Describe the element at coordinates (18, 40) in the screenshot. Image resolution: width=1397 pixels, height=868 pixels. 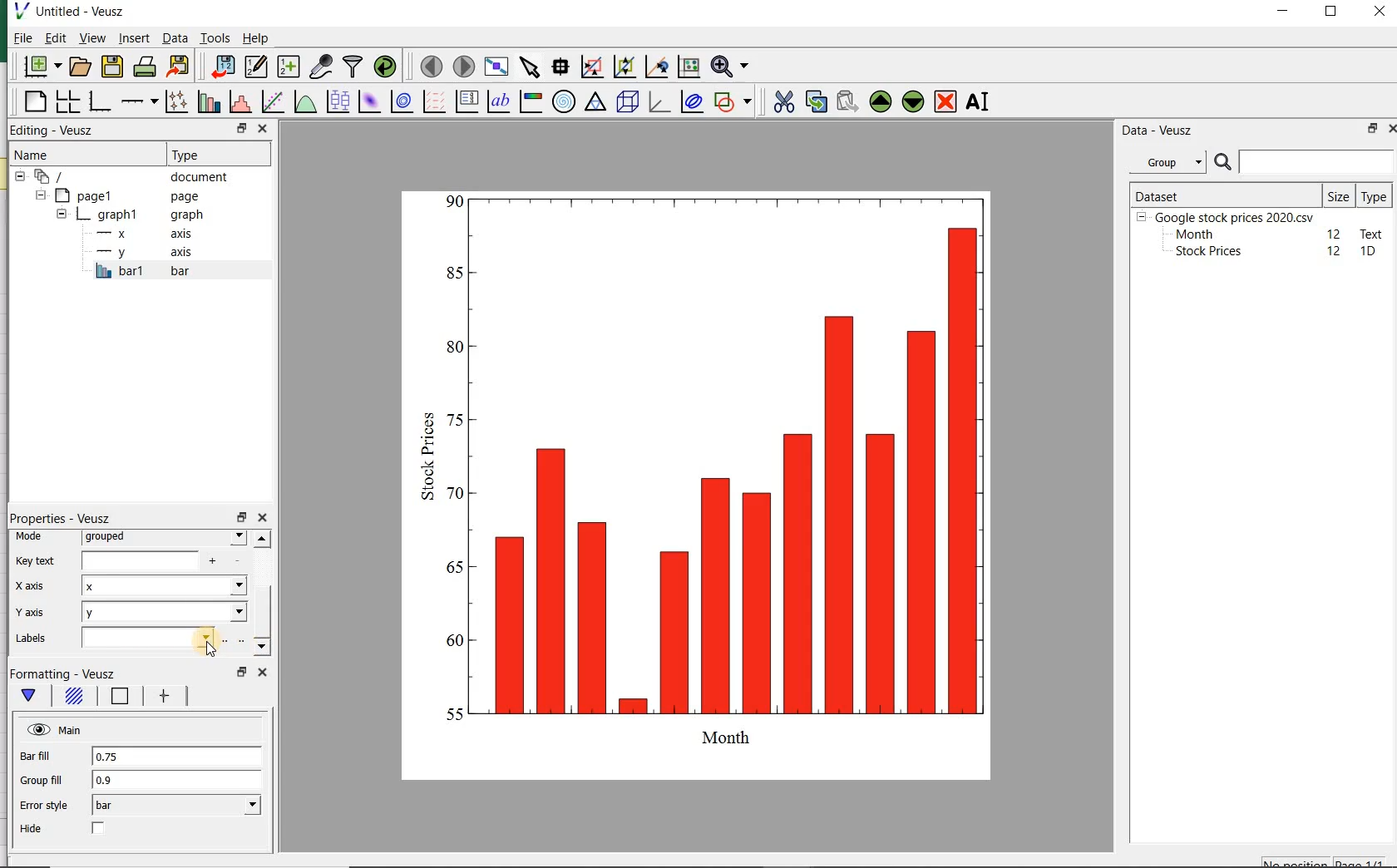
I see `File` at that location.